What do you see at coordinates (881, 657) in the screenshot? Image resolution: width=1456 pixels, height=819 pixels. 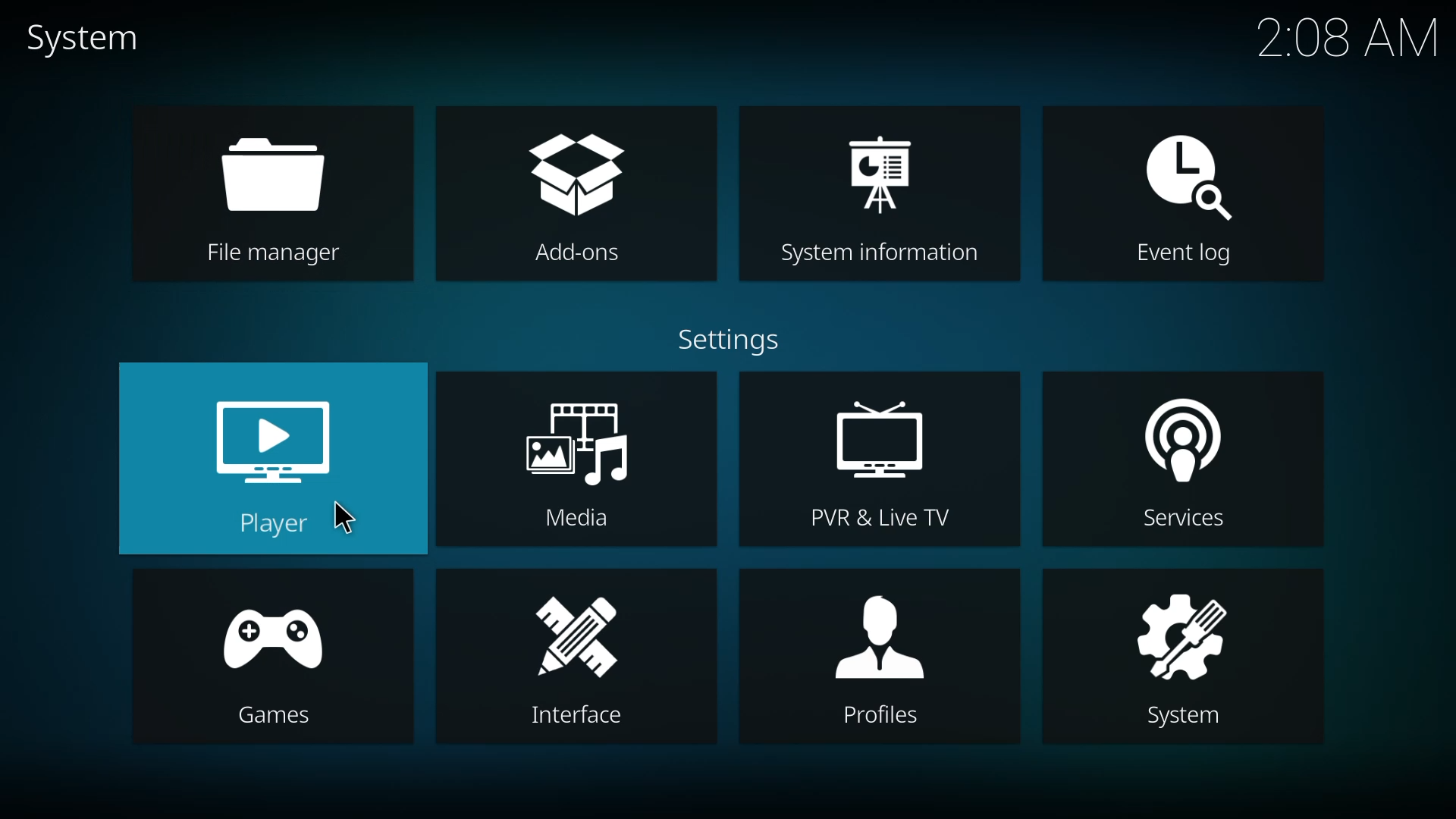 I see `profiles` at bounding box center [881, 657].